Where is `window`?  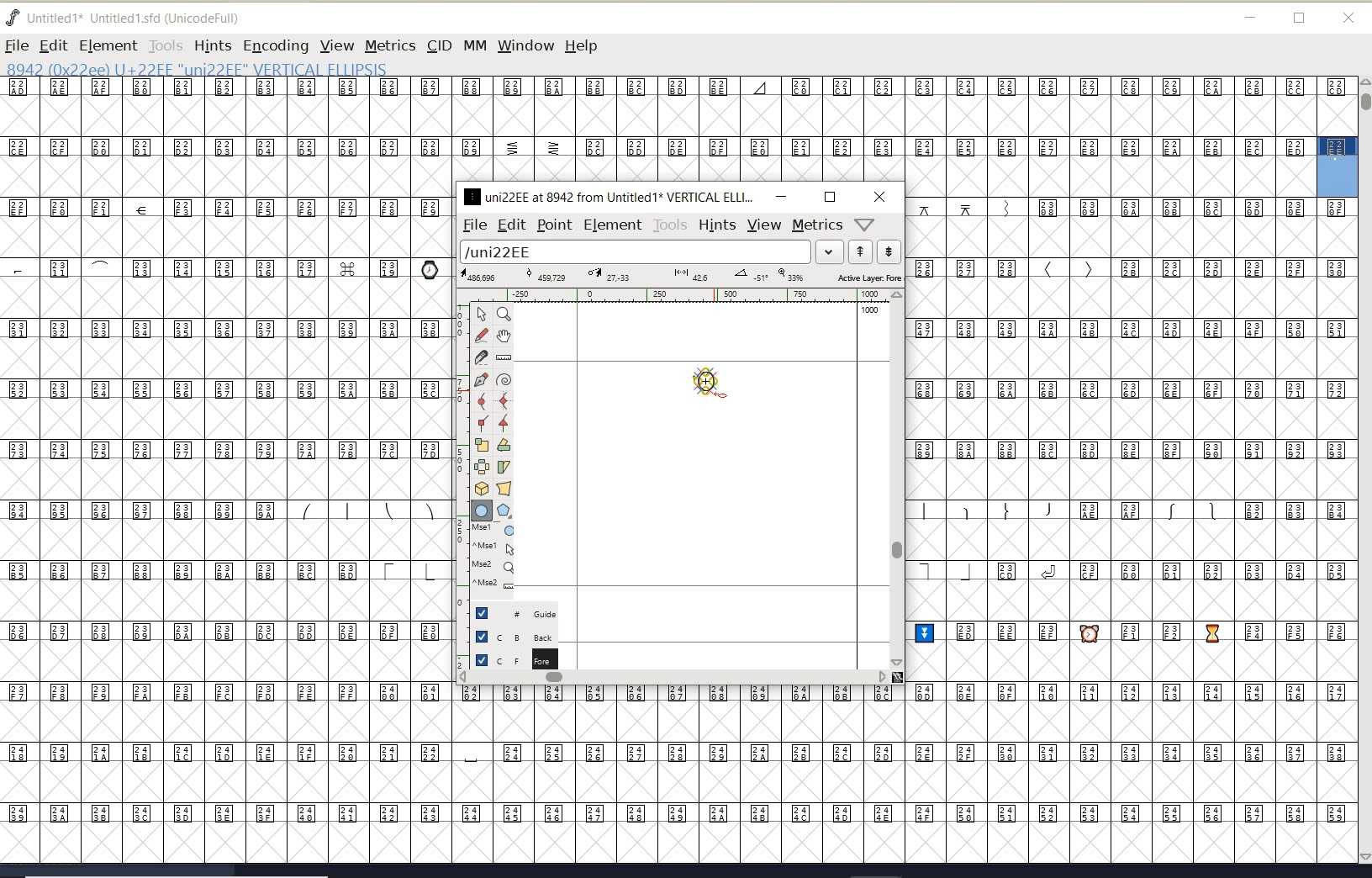 window is located at coordinates (525, 45).